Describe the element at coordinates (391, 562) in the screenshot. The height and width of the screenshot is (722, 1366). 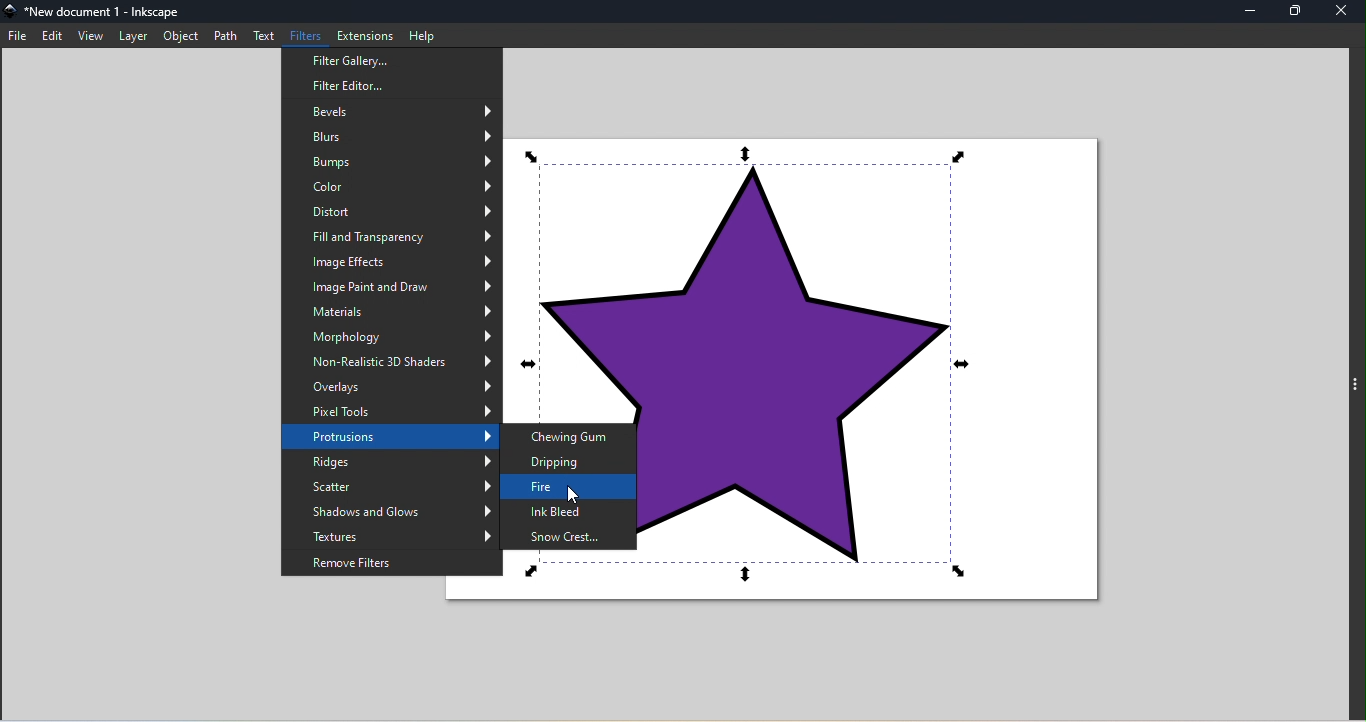
I see `Remove filters` at that location.